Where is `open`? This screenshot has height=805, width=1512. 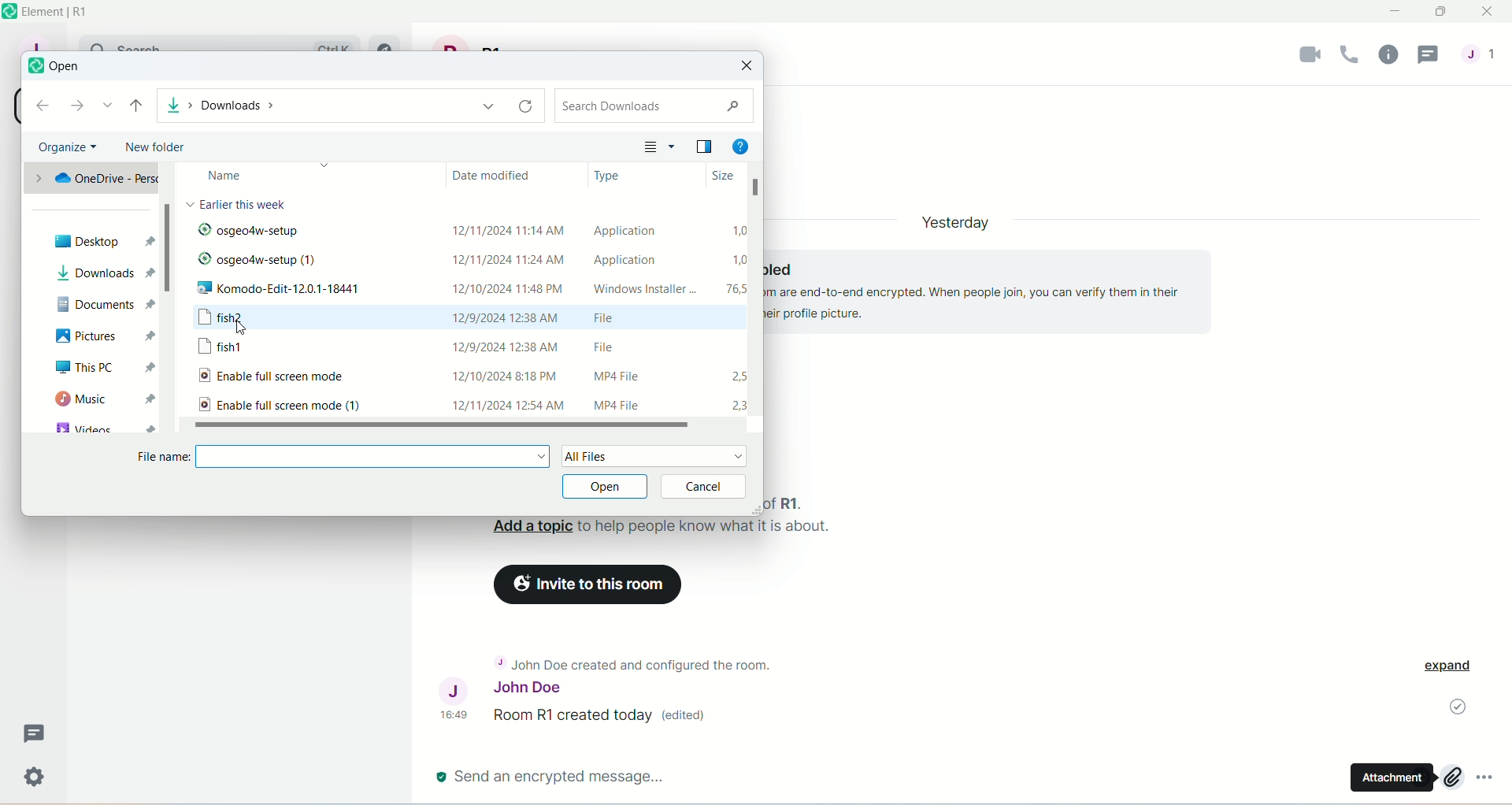 open is located at coordinates (607, 487).